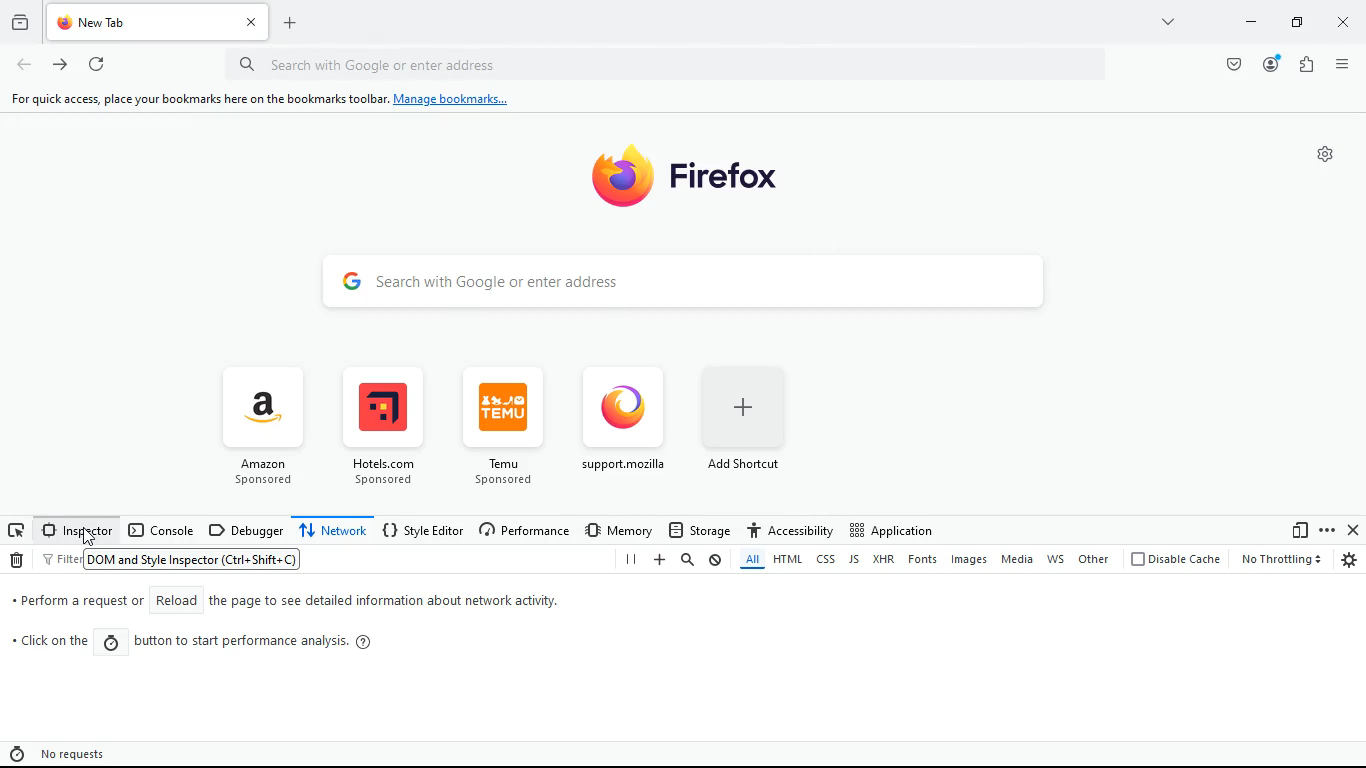 The image size is (1366, 768). What do you see at coordinates (972, 560) in the screenshot?
I see `images` at bounding box center [972, 560].